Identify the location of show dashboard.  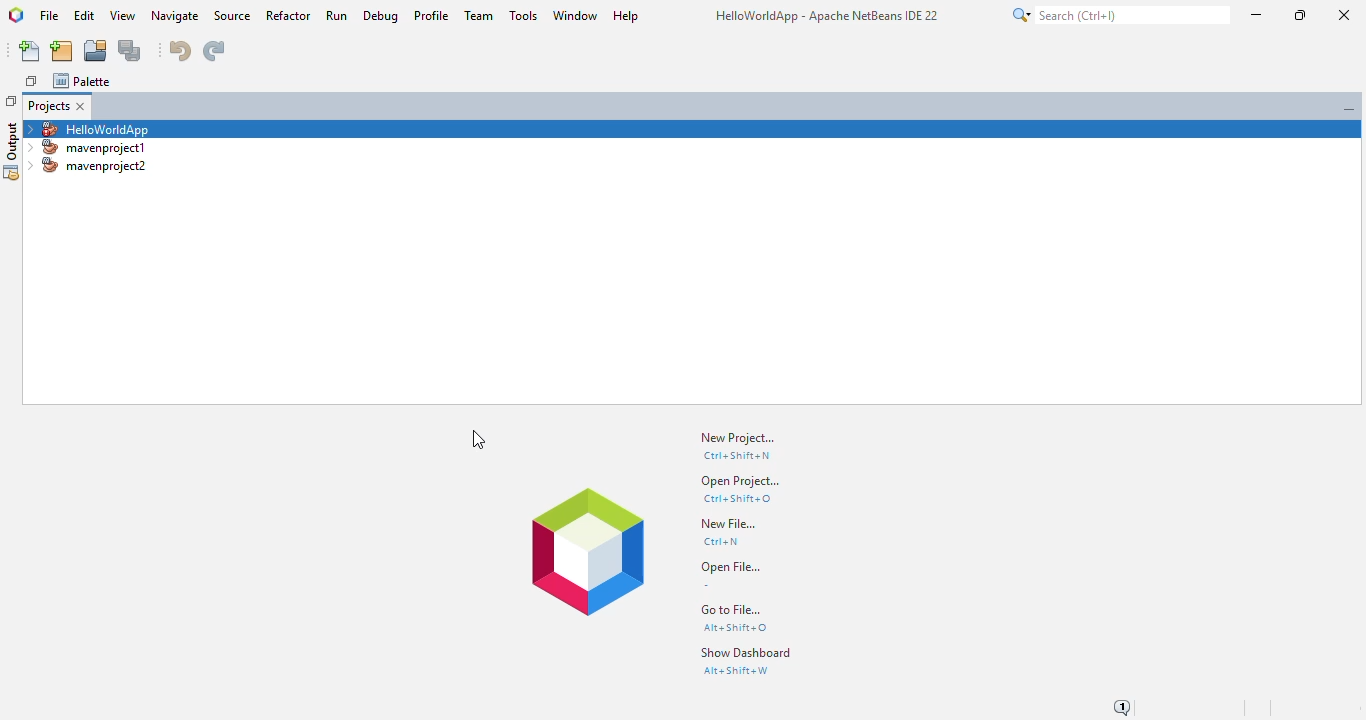
(748, 653).